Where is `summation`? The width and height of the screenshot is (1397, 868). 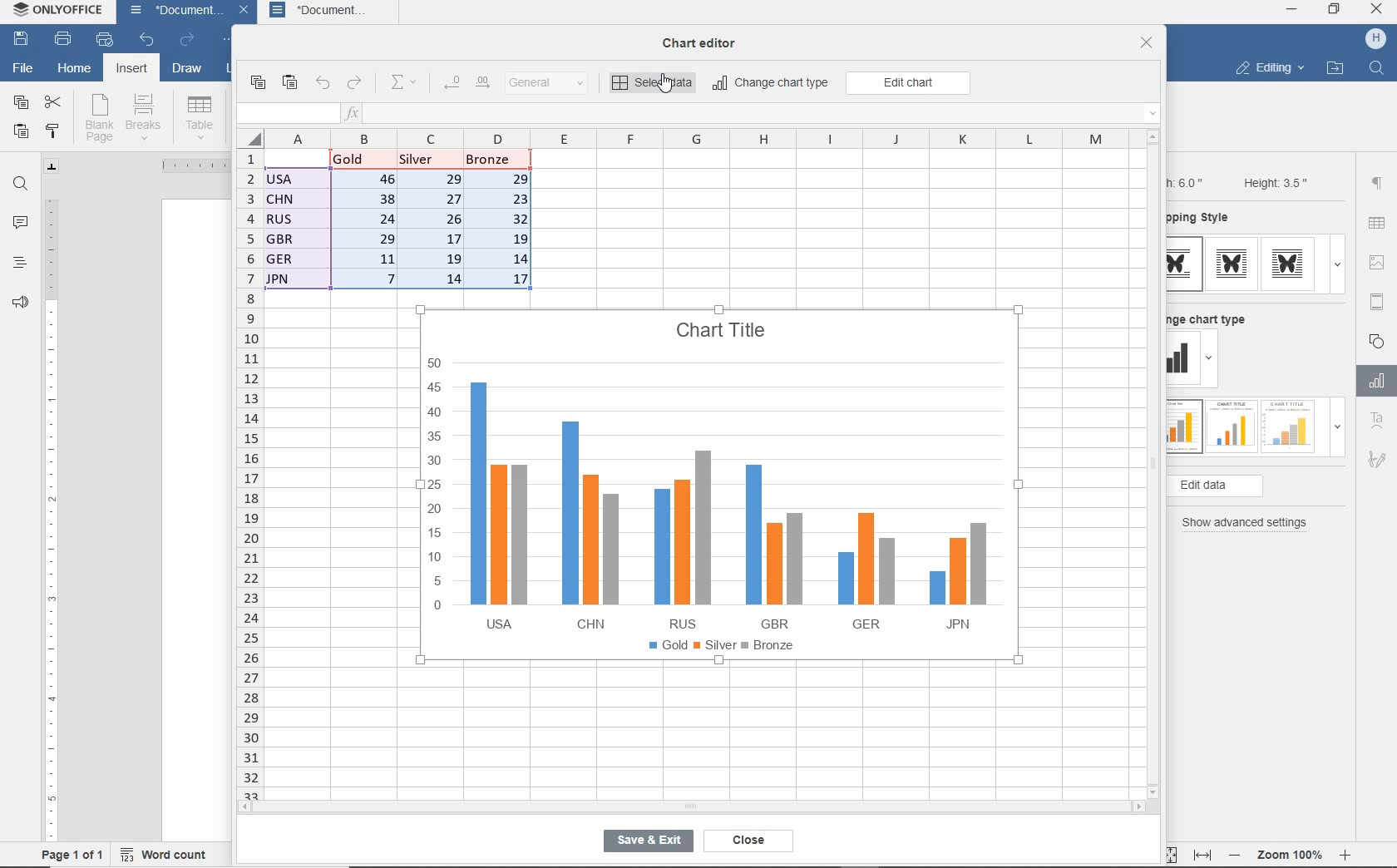 summation is located at coordinates (407, 83).